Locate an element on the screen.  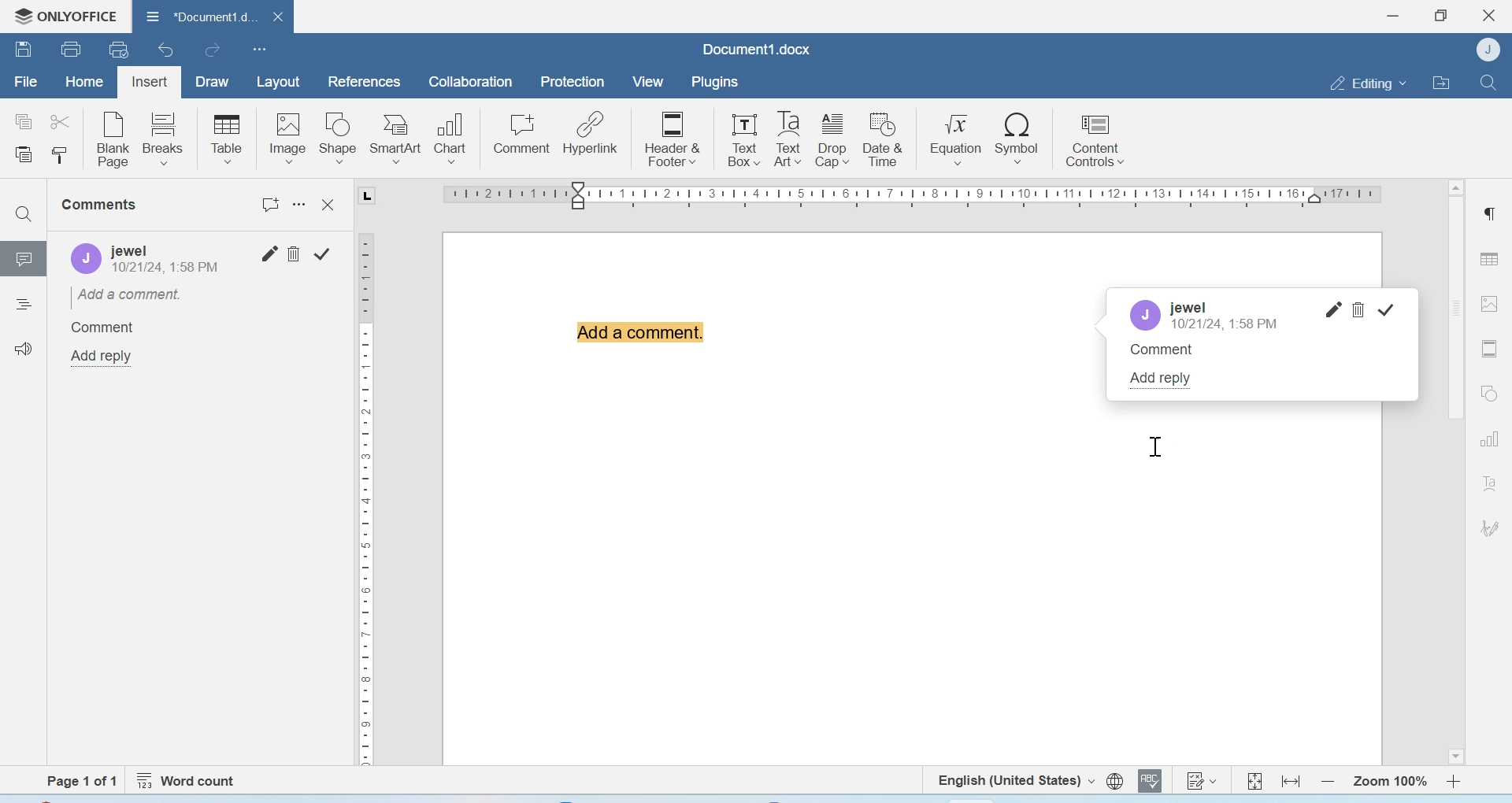
Paste is located at coordinates (25, 156).